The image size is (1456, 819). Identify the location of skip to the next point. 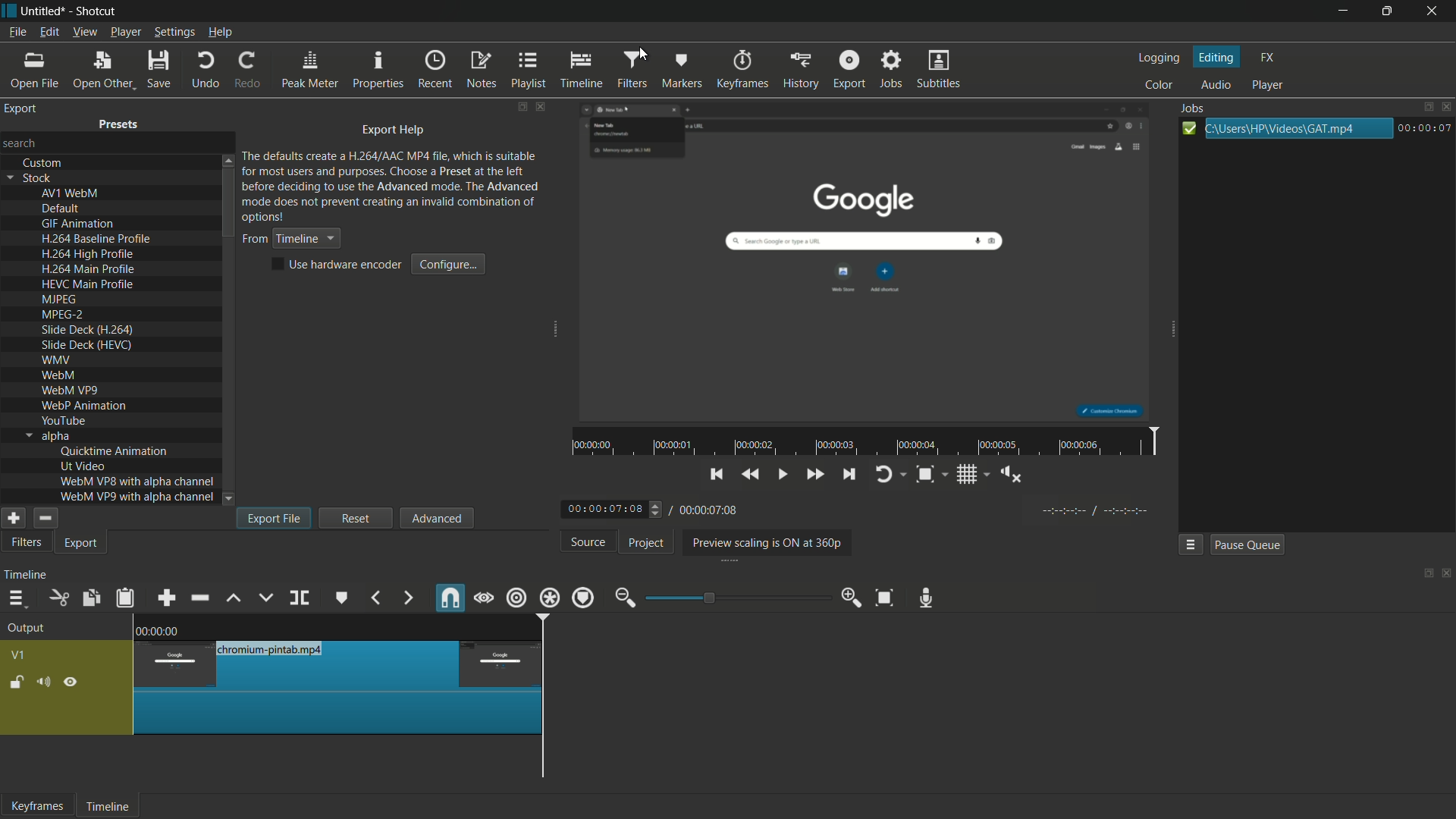
(846, 474).